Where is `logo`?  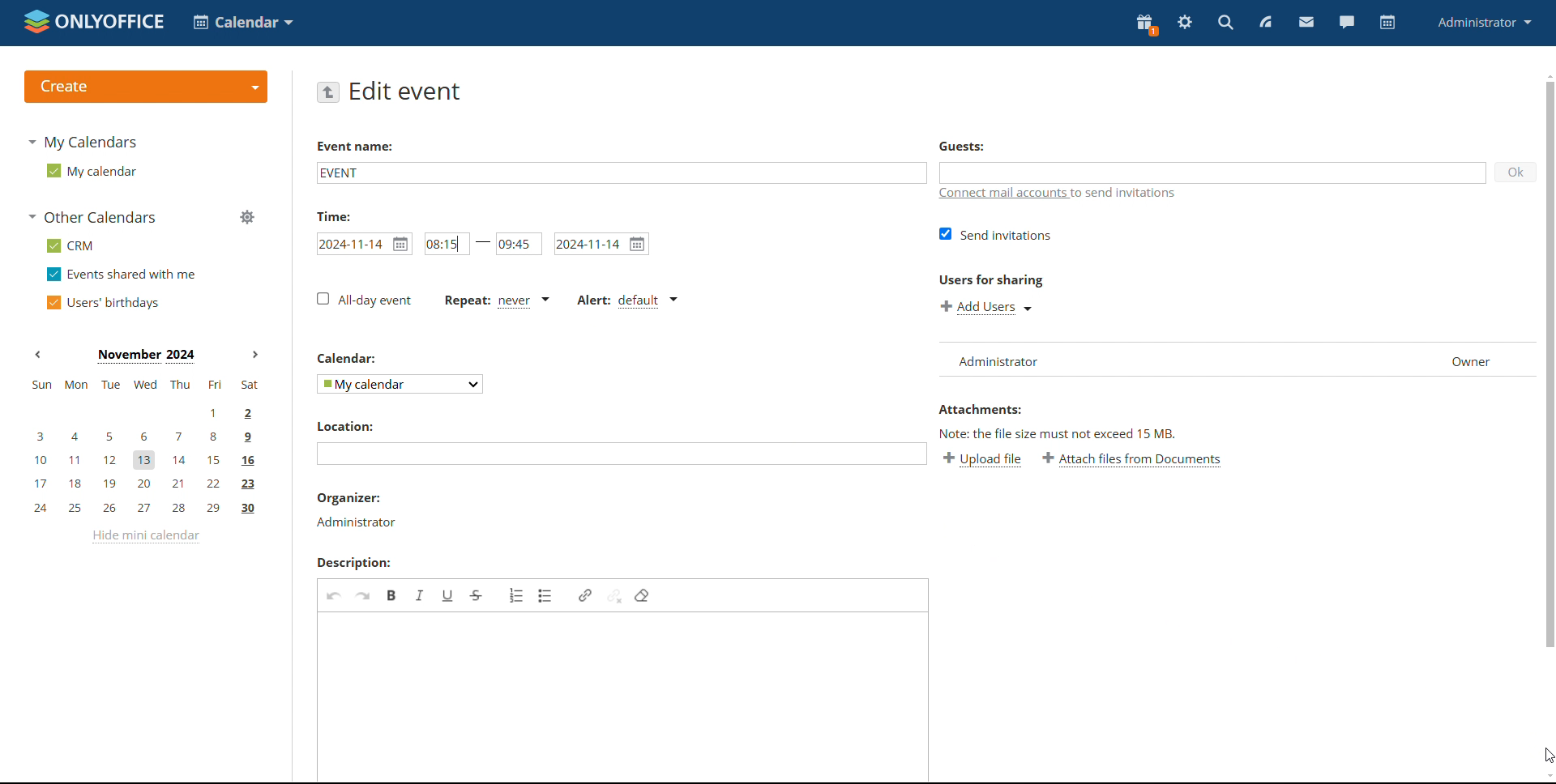 logo is located at coordinates (95, 23).